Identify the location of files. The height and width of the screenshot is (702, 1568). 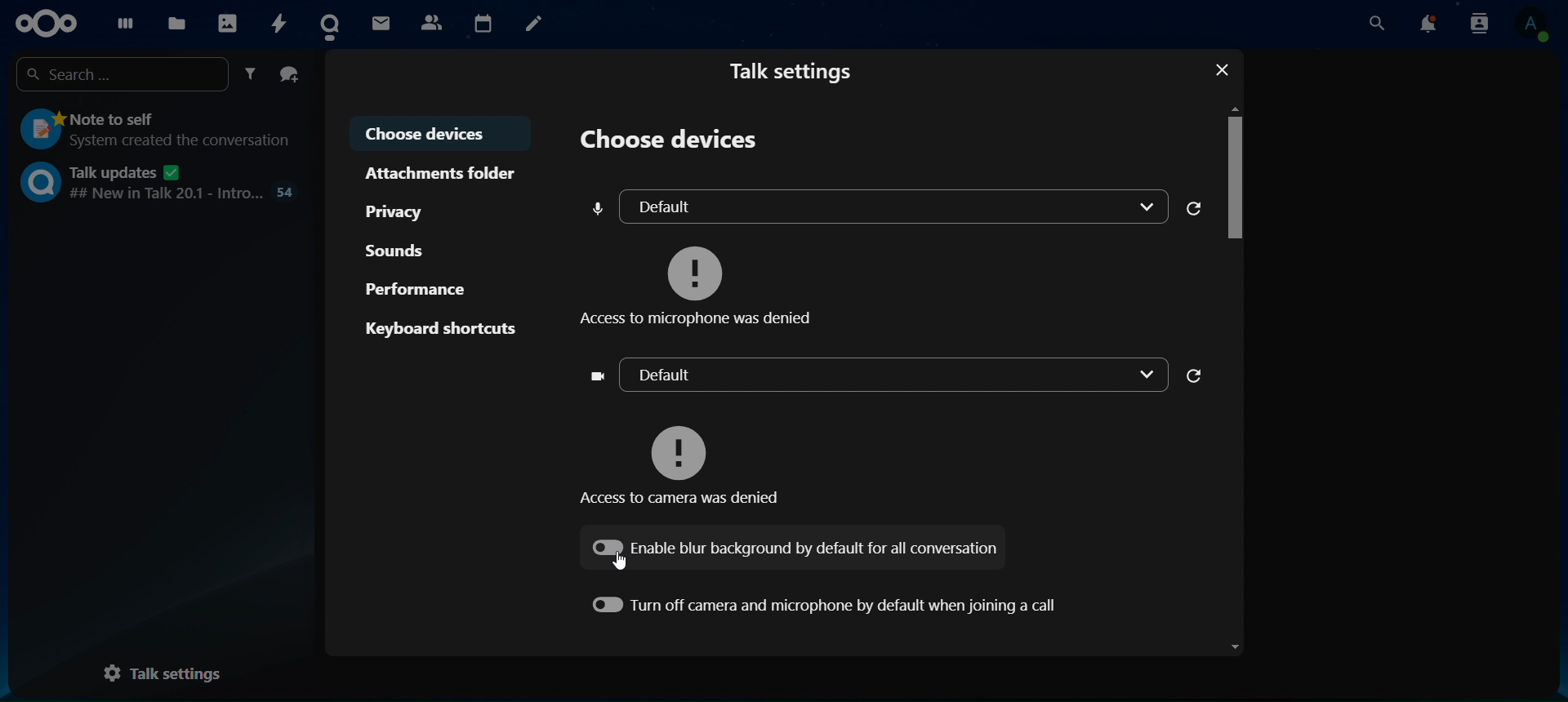
(176, 24).